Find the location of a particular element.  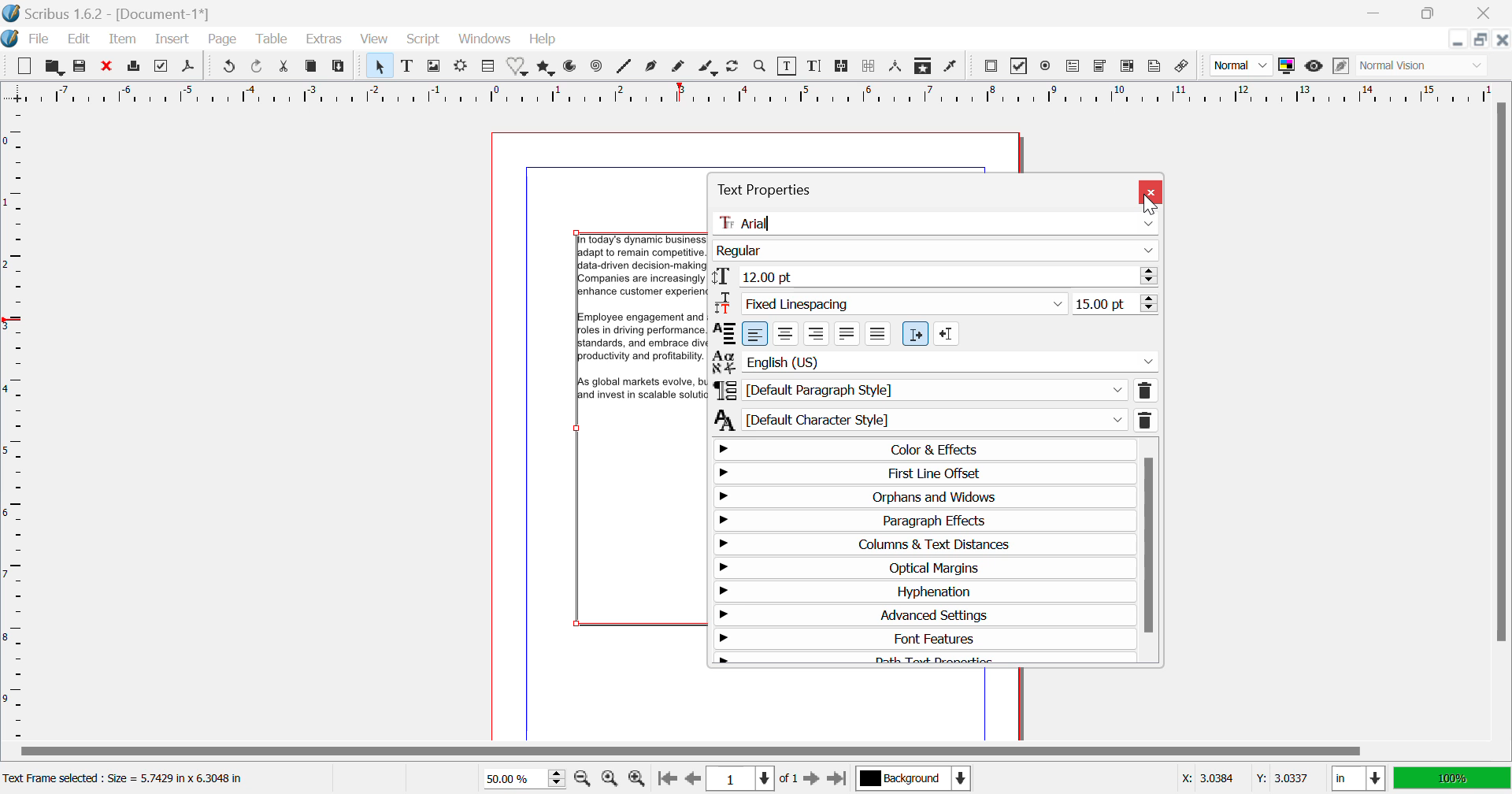

Item is located at coordinates (121, 40).